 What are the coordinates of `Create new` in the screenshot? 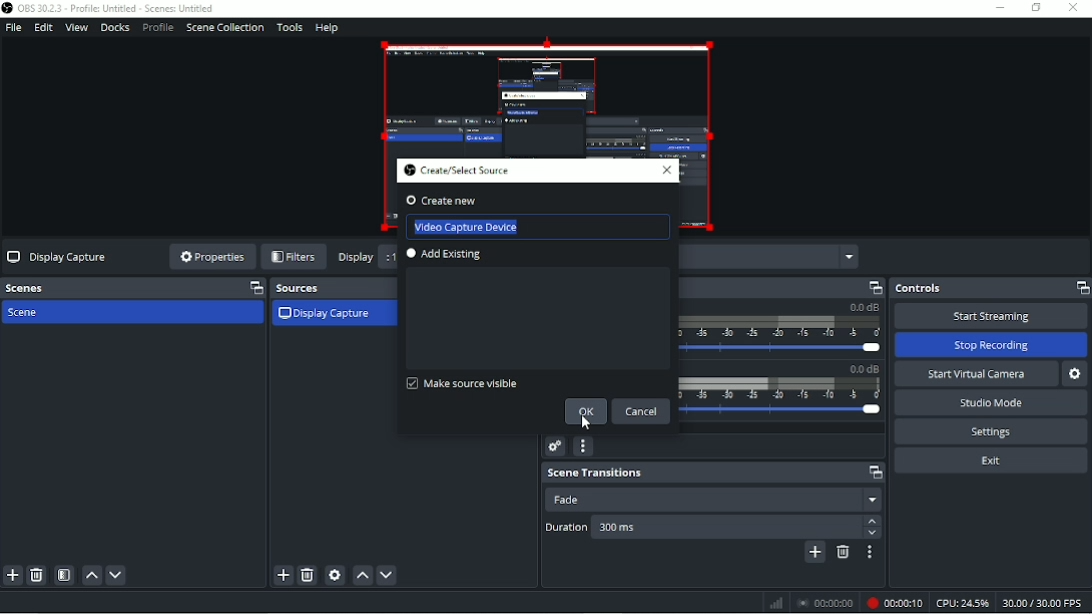 It's located at (465, 199).